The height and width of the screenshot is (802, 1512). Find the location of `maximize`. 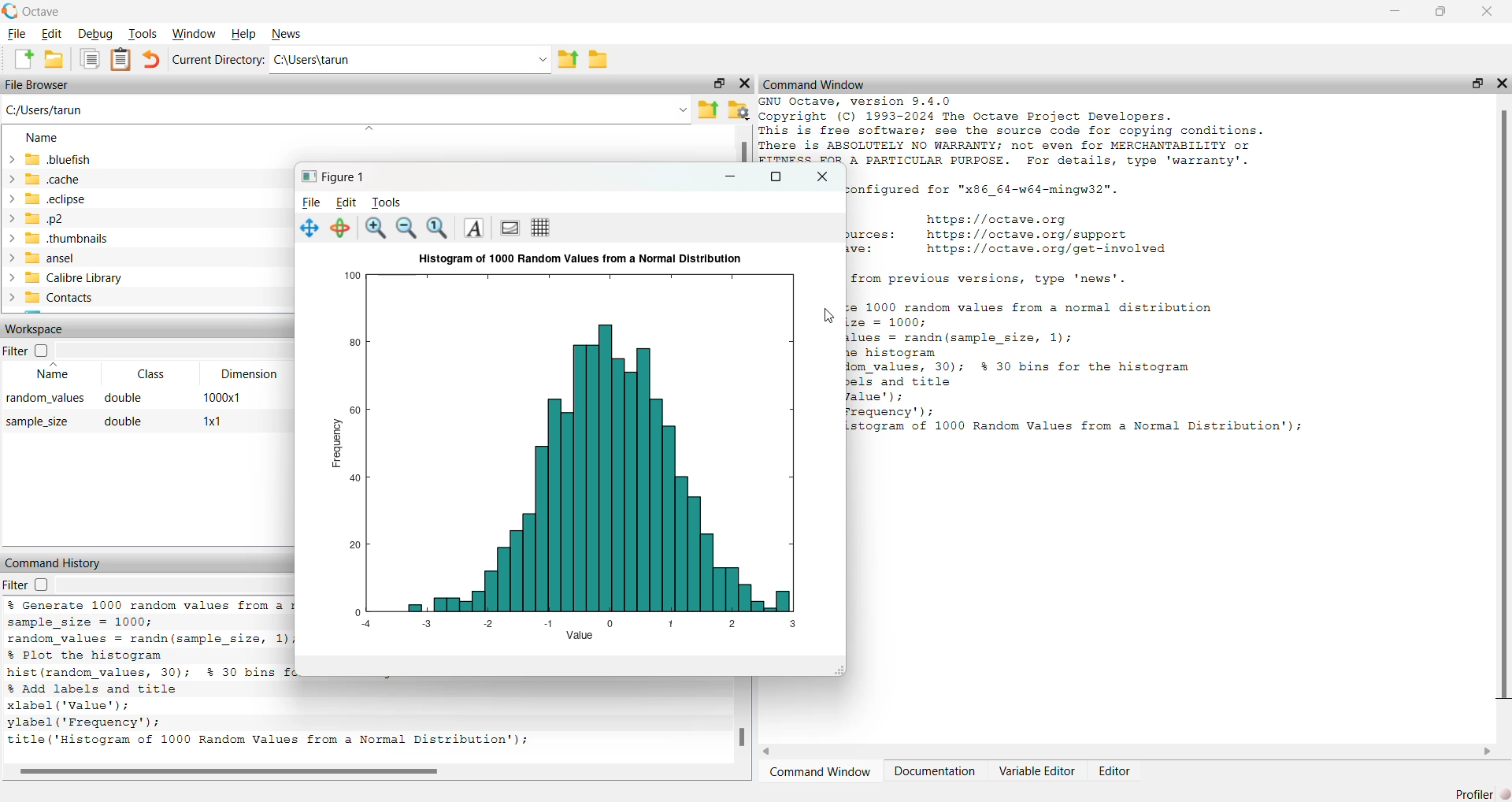

maximize is located at coordinates (717, 84).